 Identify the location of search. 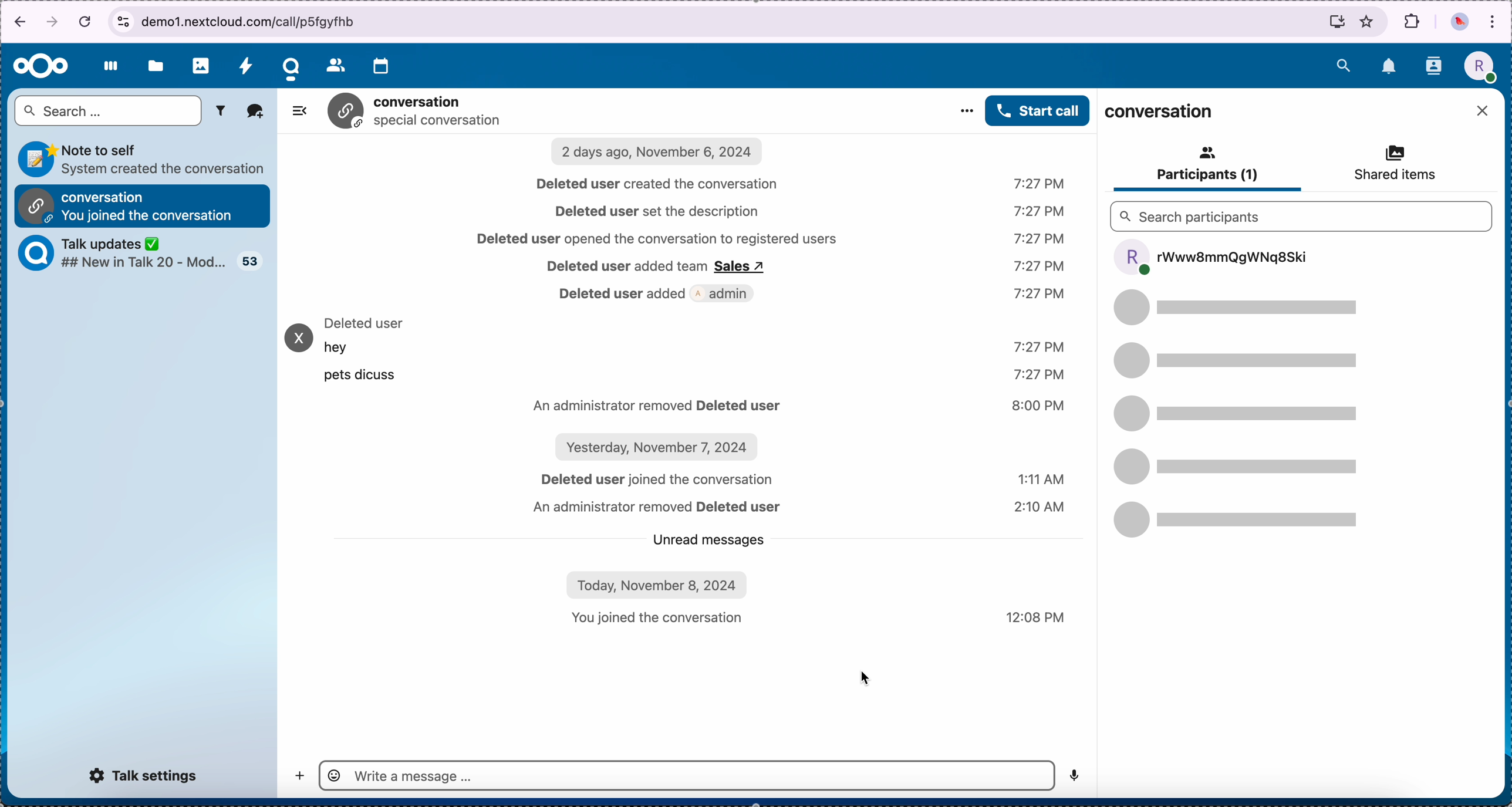
(1341, 65).